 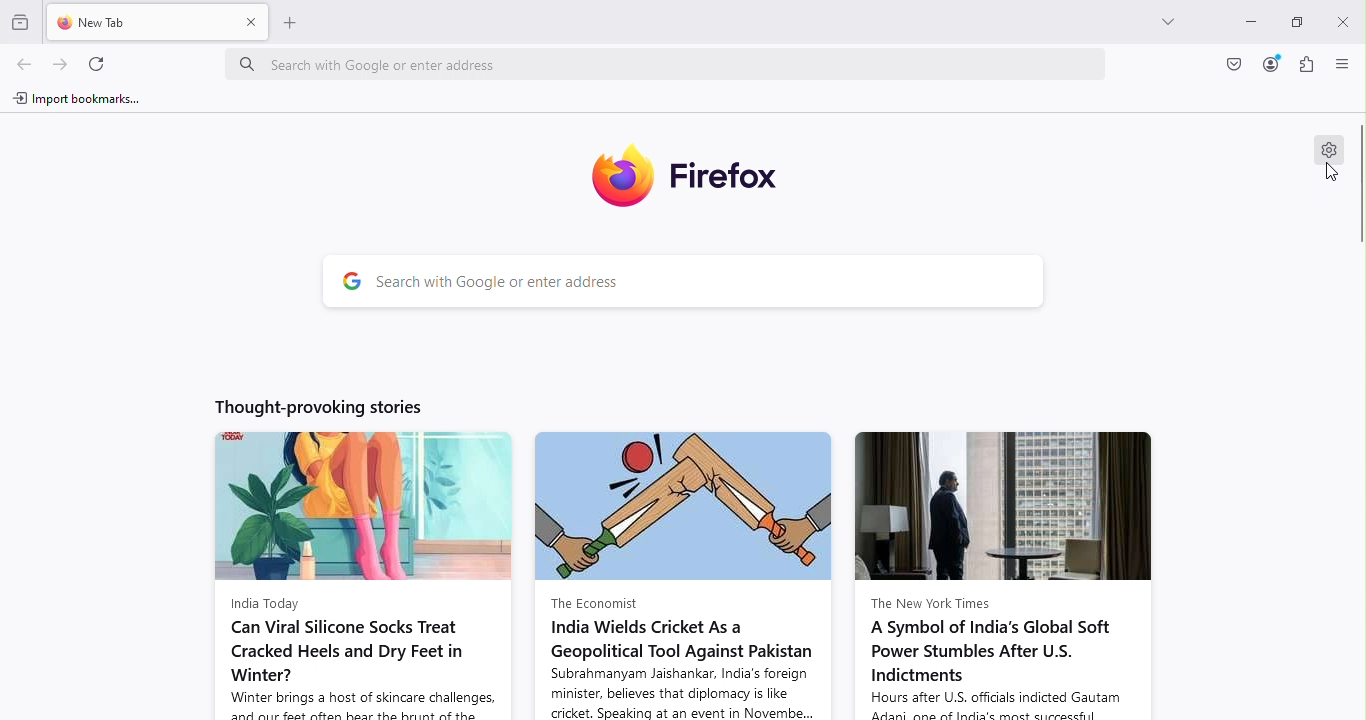 I want to click on Go forward one page, so click(x=58, y=65).